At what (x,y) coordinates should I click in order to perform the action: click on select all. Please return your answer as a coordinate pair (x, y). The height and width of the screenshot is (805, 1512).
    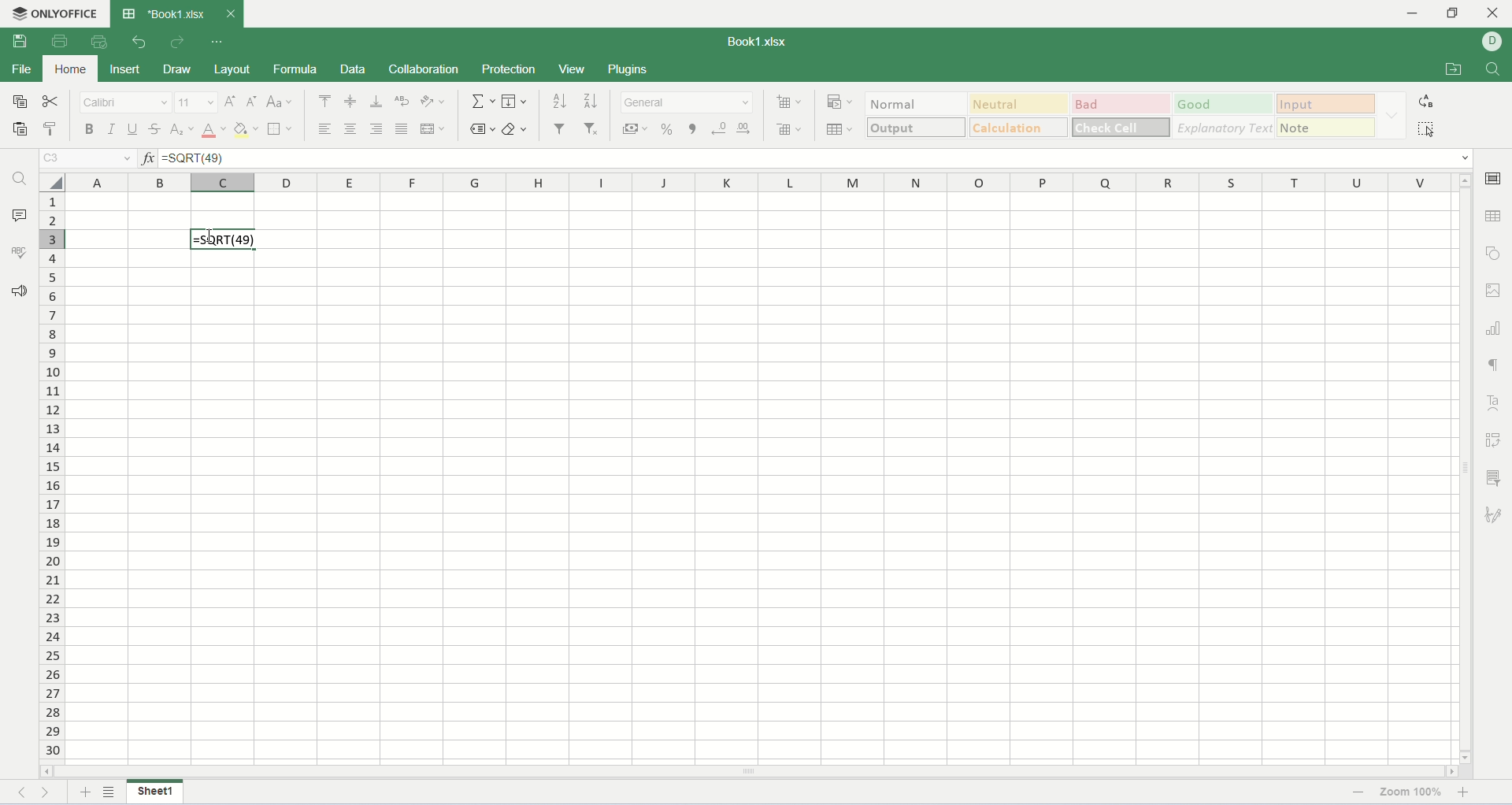
    Looking at the image, I should click on (50, 180).